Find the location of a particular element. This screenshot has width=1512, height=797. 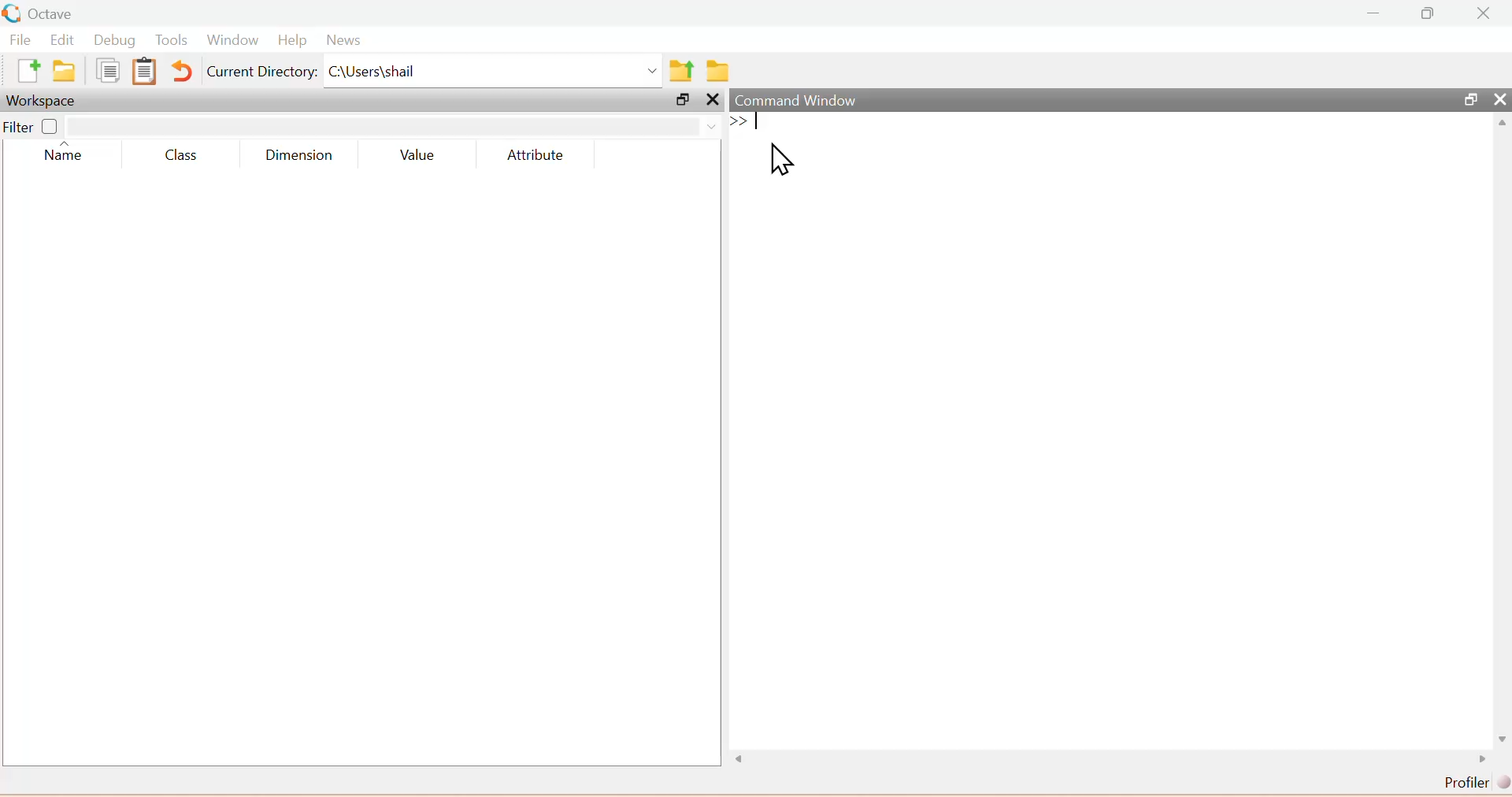

Close is located at coordinates (1483, 13).